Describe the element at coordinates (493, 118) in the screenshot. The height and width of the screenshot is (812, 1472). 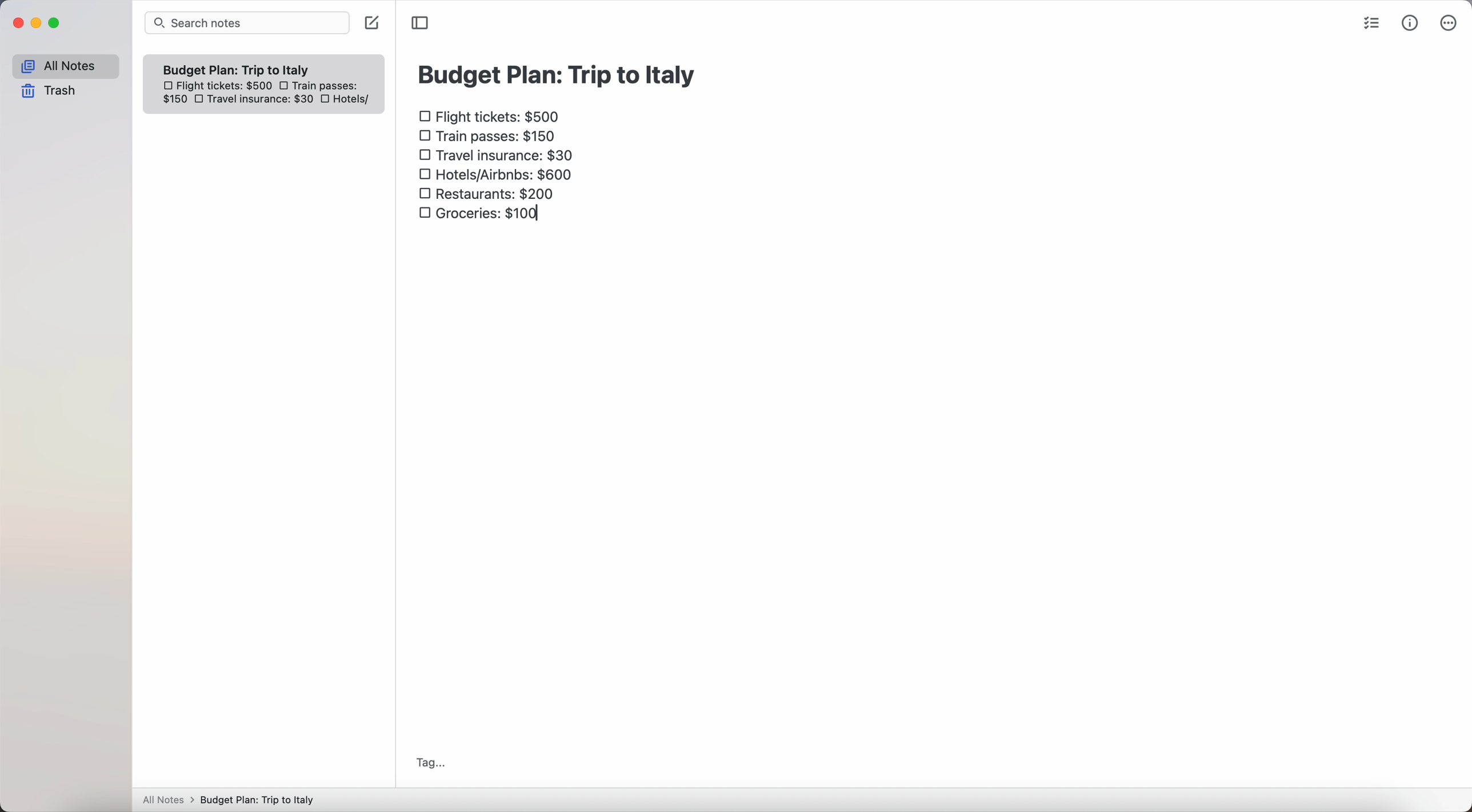
I see `flight tickets: $500 checkbox` at that location.